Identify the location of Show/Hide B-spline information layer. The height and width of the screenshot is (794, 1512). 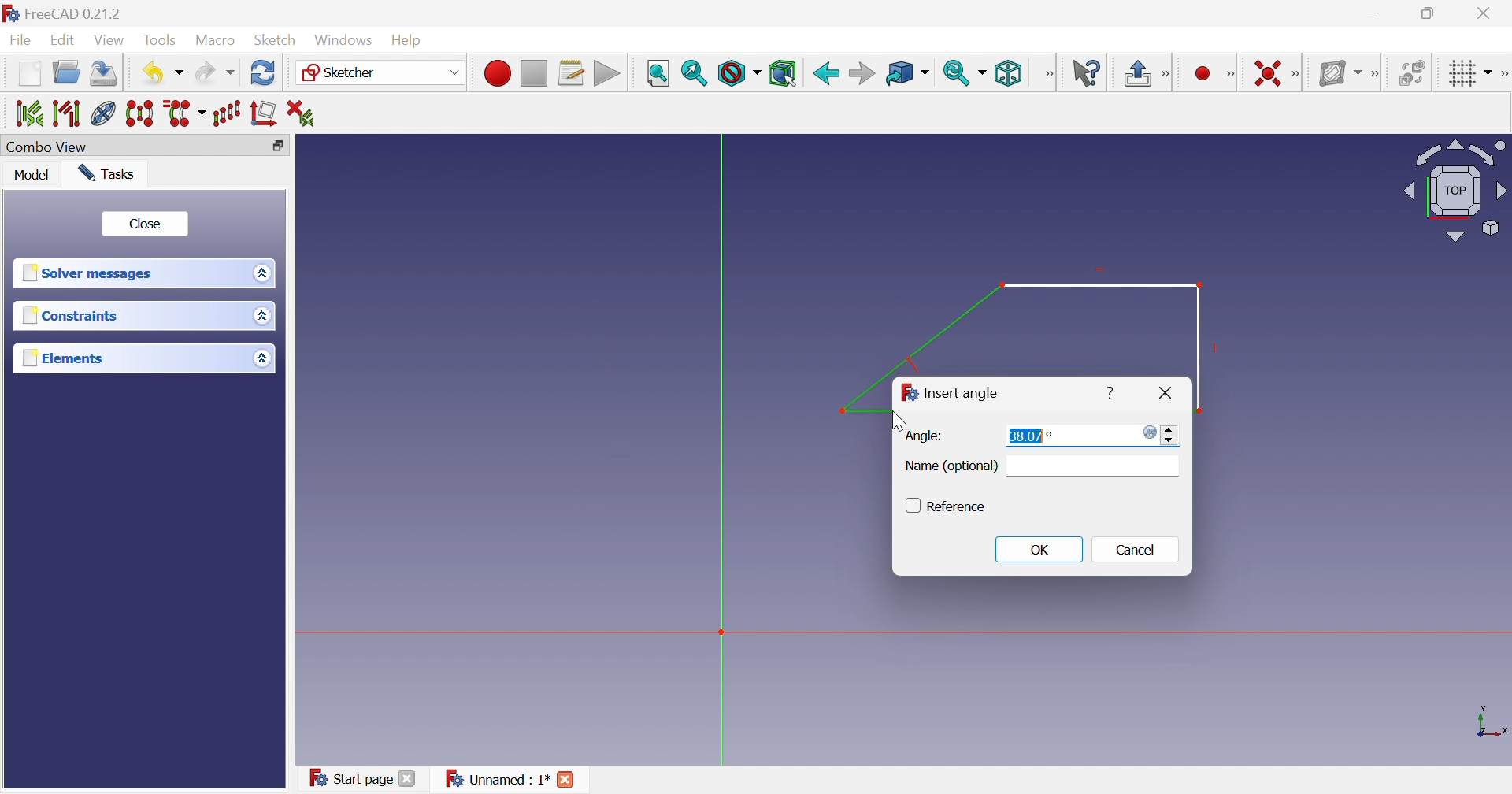
(1336, 72).